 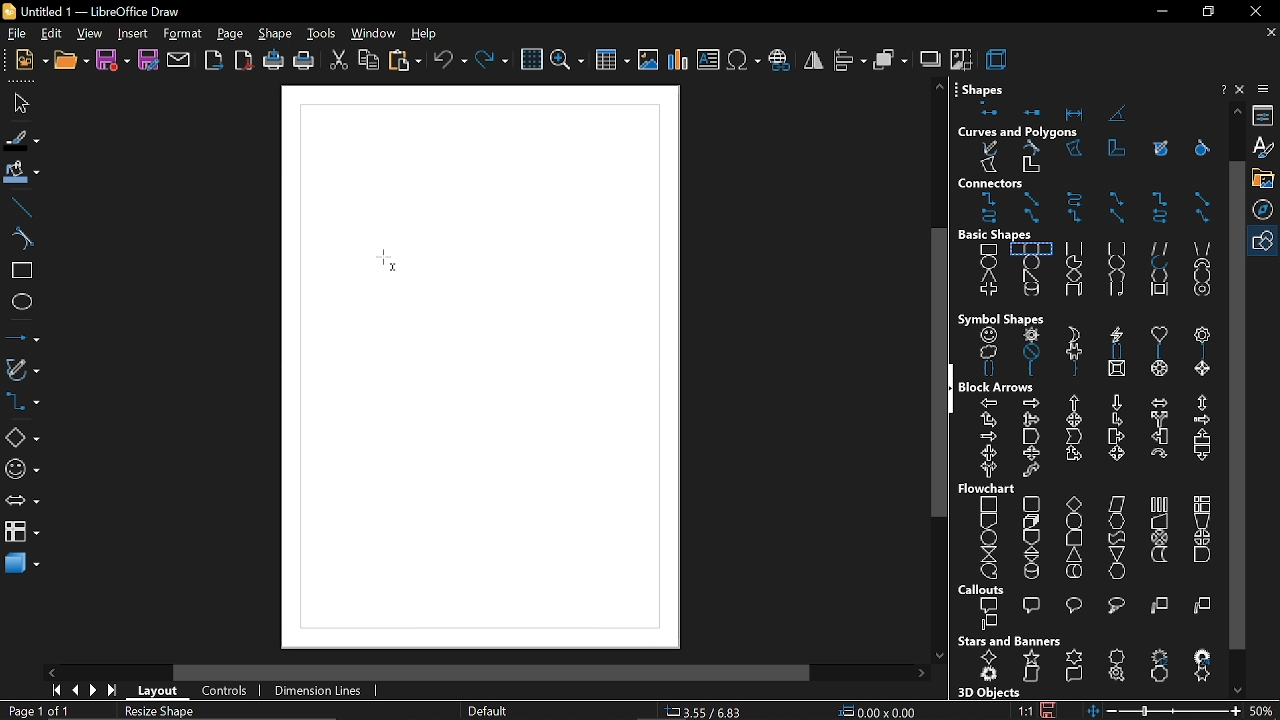 I want to click on line, so click(x=22, y=207).